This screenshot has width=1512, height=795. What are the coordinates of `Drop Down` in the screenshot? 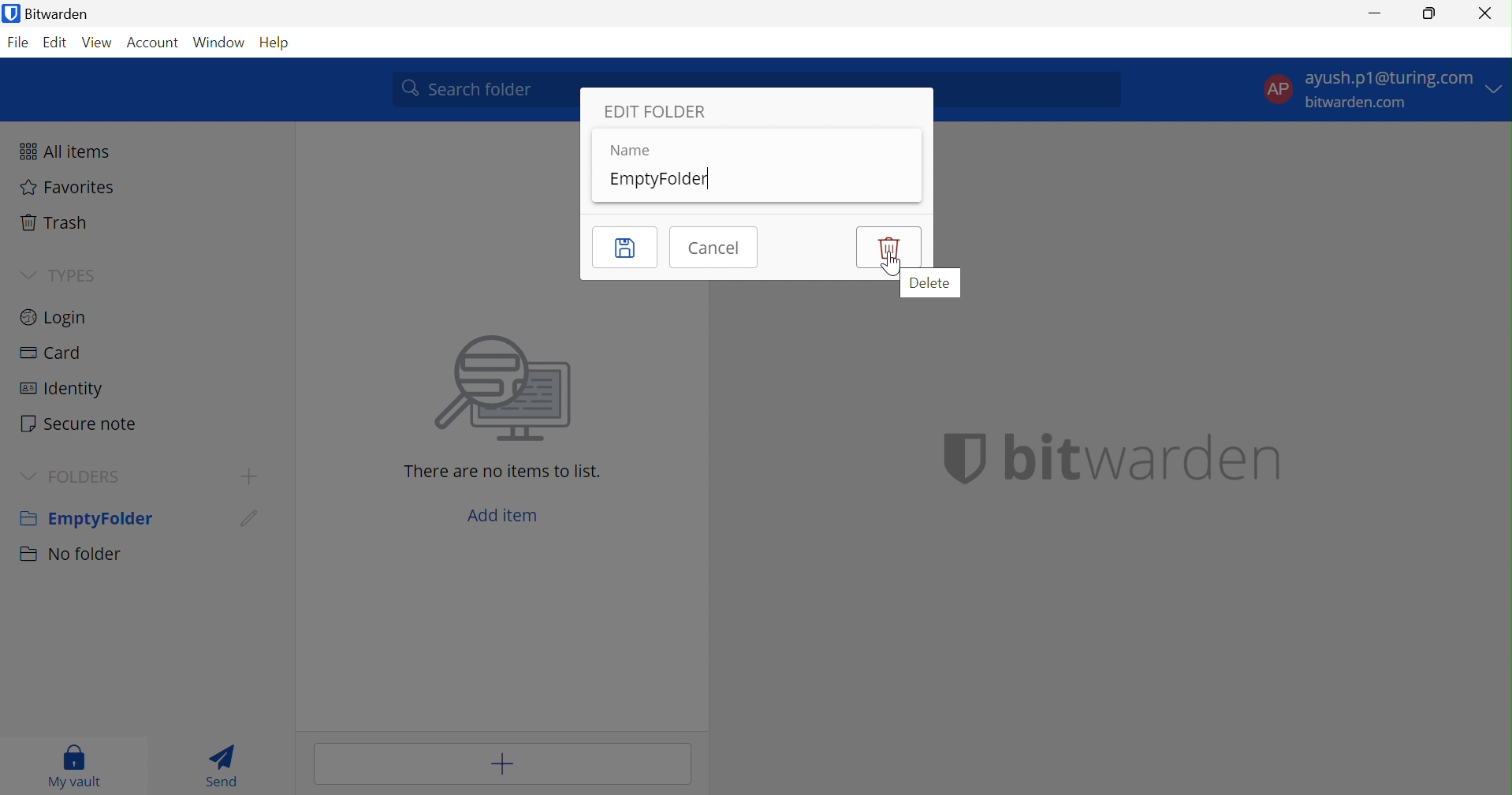 It's located at (26, 274).